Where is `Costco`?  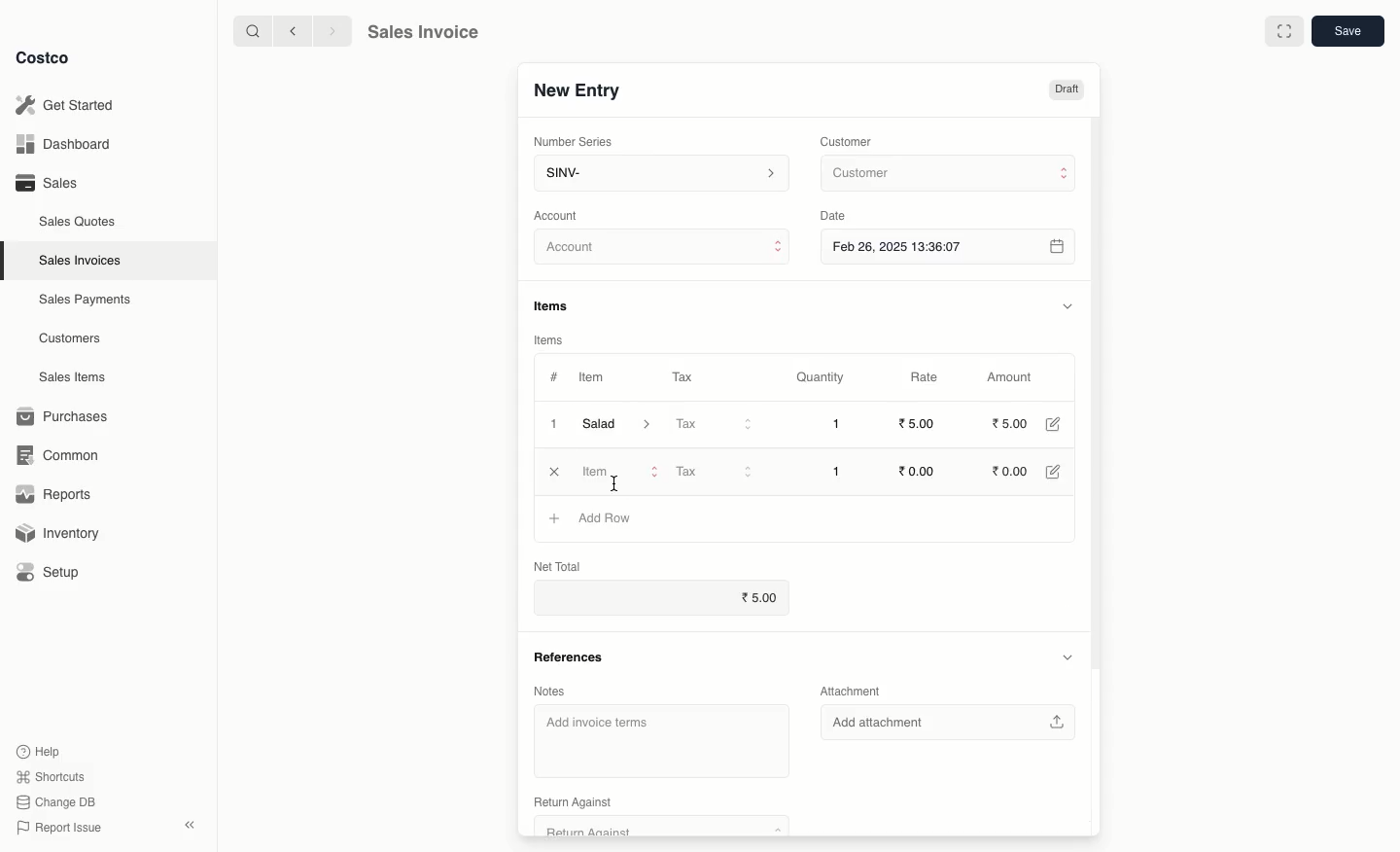
Costco is located at coordinates (48, 58).